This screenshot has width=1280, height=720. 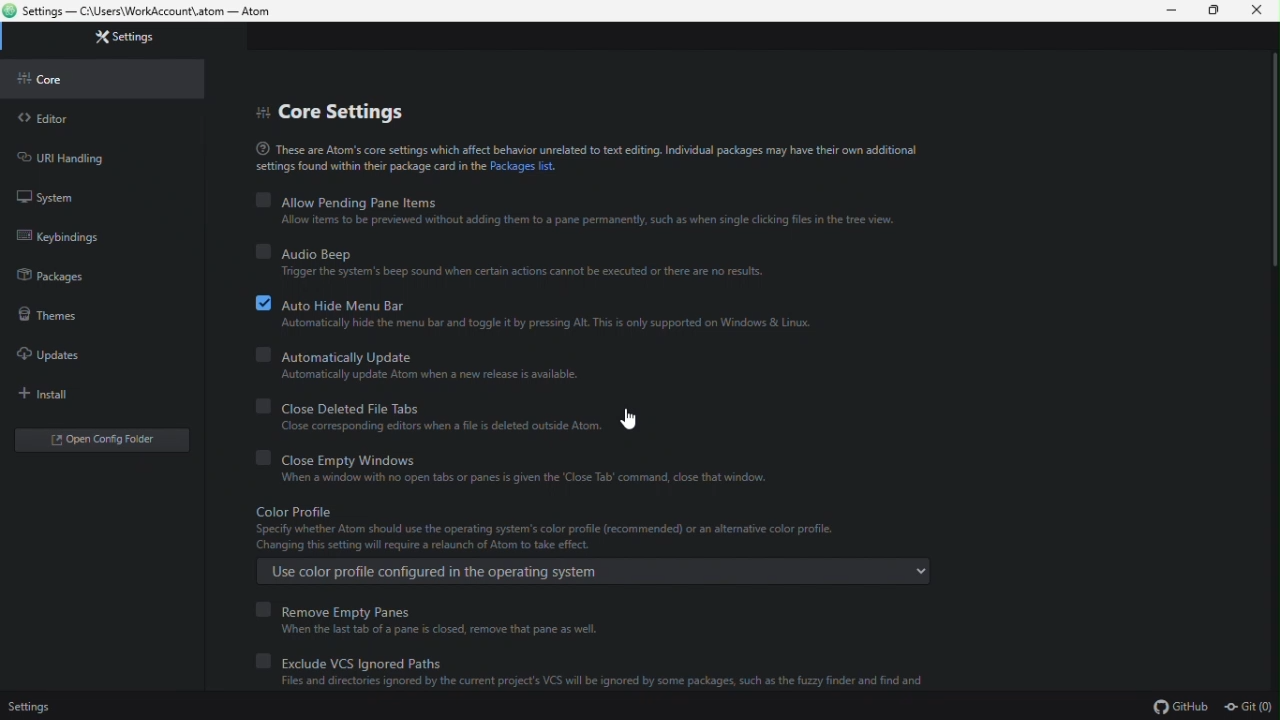 I want to click on When a window with no open tabs or panes is given the ‘Close Tab’ command, close that window., so click(x=529, y=479).